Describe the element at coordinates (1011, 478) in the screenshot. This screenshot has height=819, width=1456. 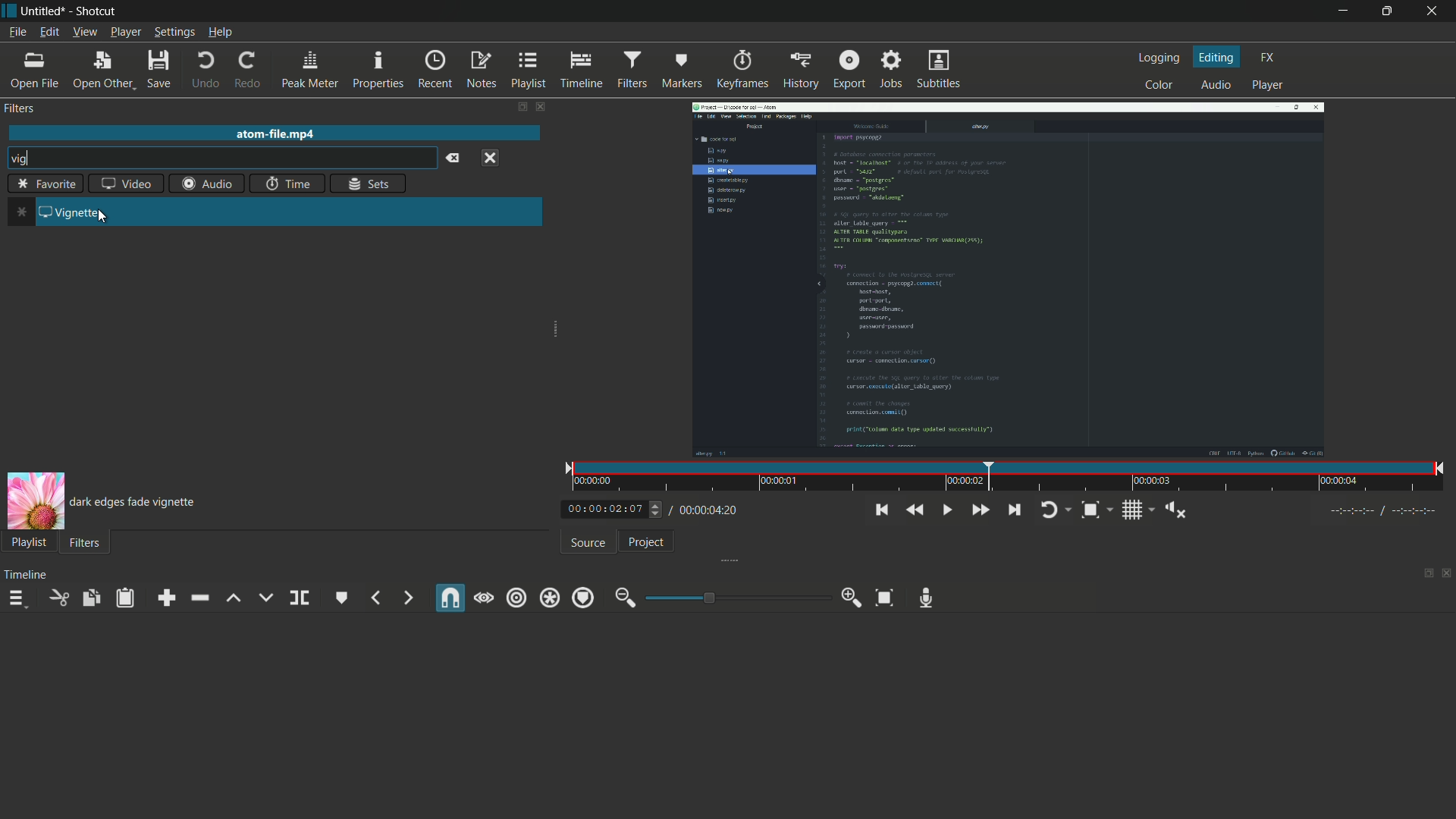
I see `time` at that location.